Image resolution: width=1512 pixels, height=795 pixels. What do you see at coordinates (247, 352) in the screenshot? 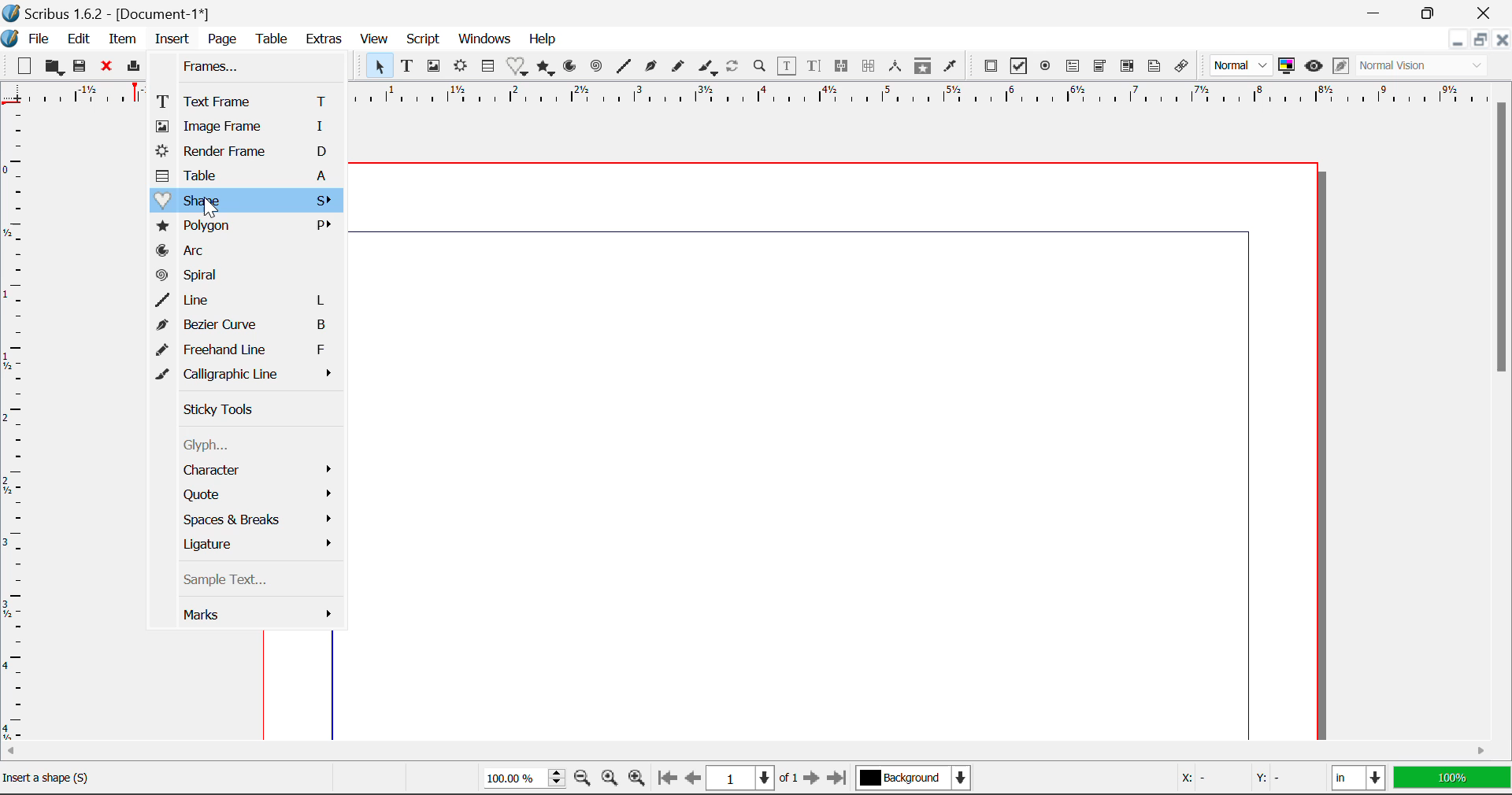
I see `Freehand Line` at bounding box center [247, 352].